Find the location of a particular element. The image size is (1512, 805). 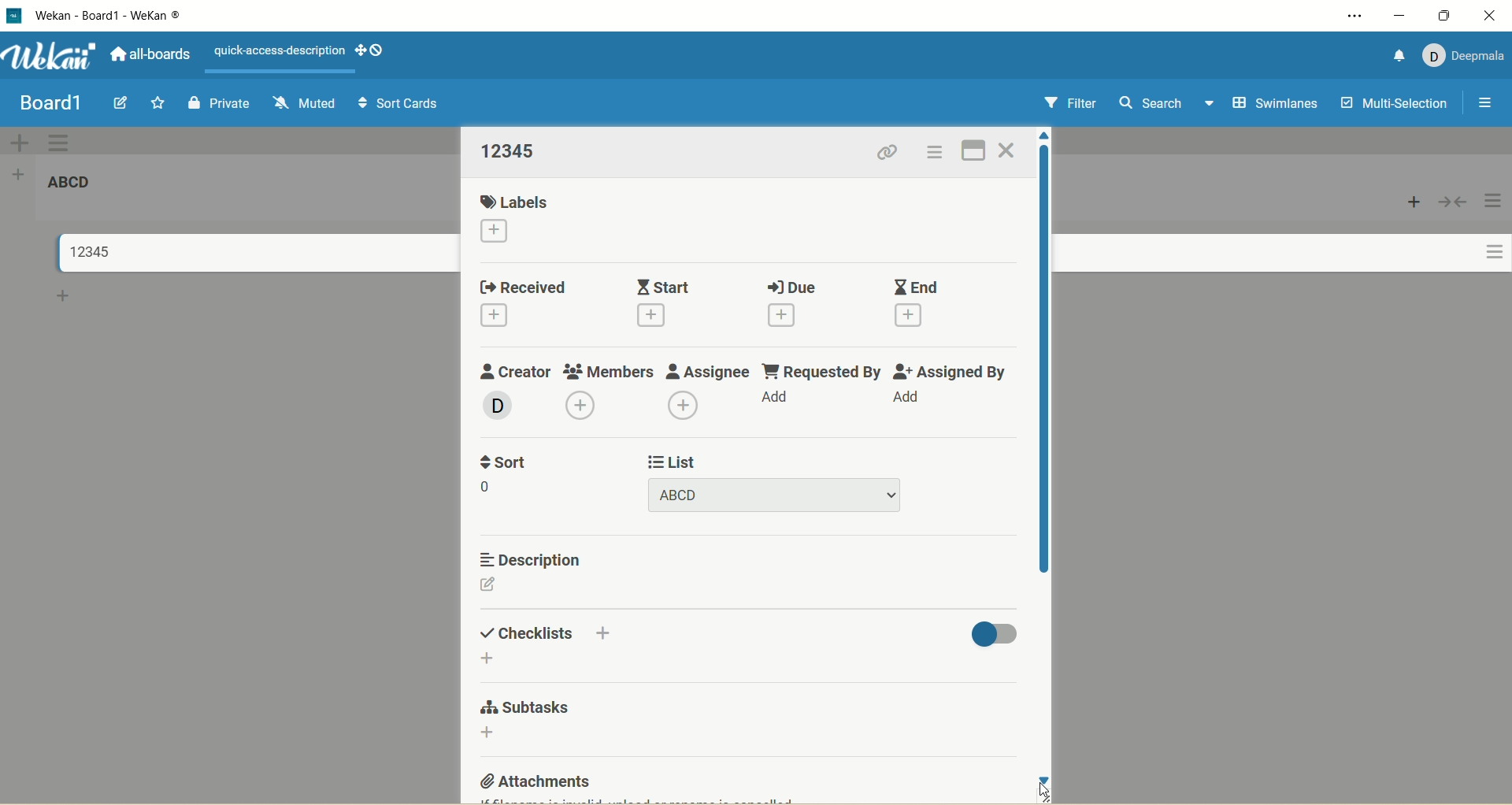

add is located at coordinates (489, 658).